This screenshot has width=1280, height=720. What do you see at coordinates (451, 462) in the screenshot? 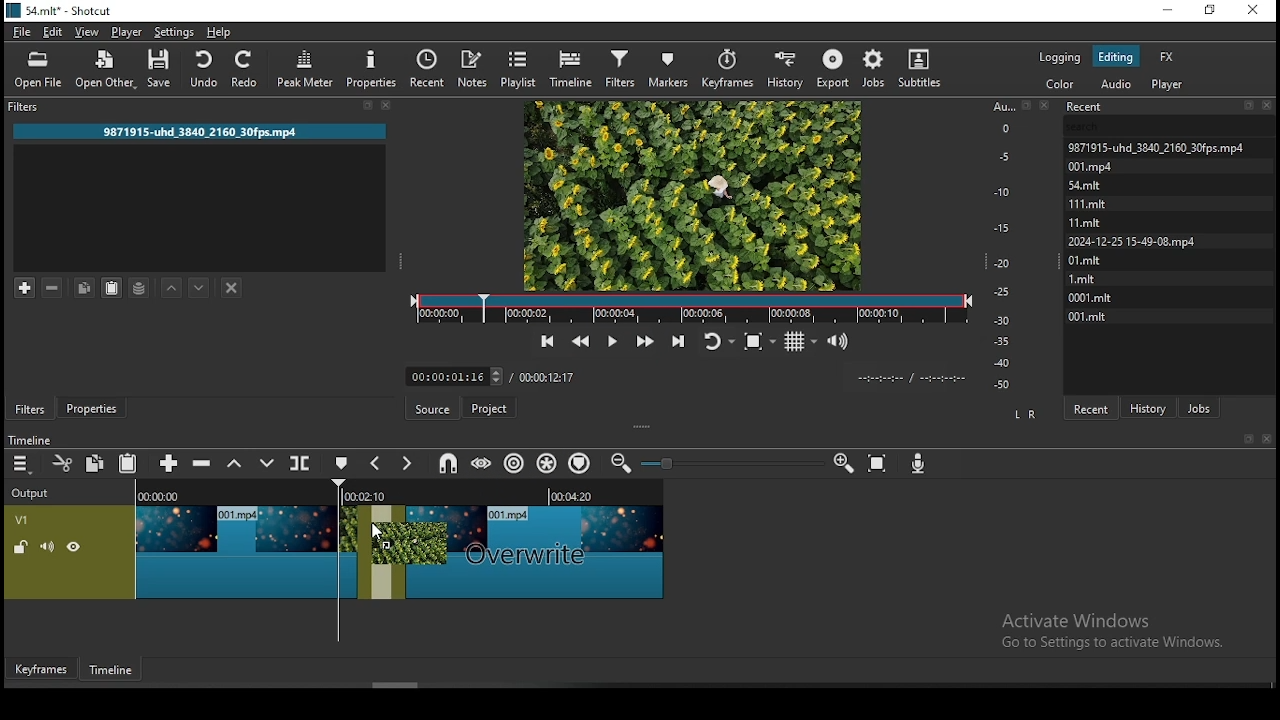
I see `snap` at bounding box center [451, 462].